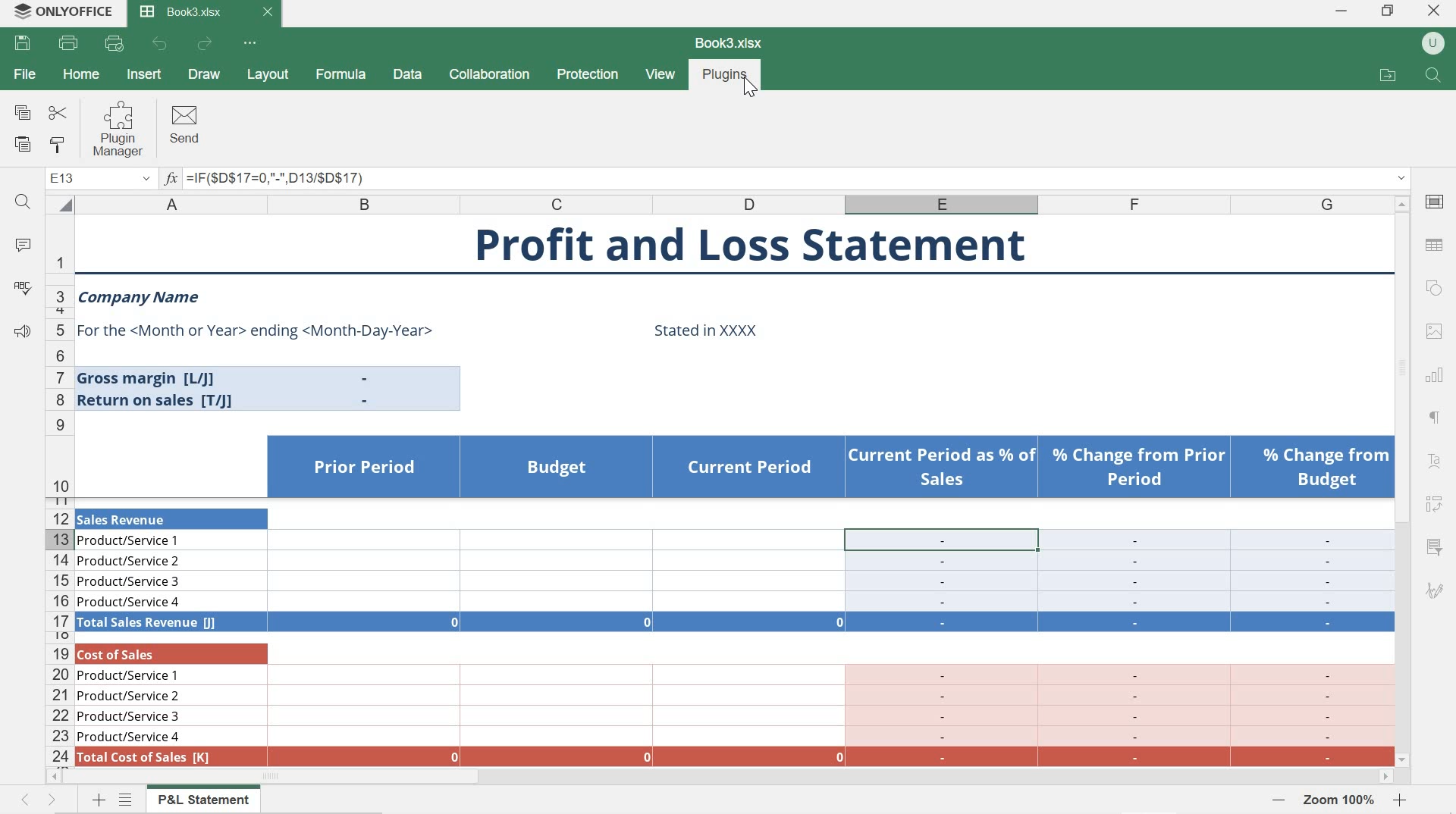 The image size is (1456, 814). I want to click on Sales Revenue, so click(125, 518).